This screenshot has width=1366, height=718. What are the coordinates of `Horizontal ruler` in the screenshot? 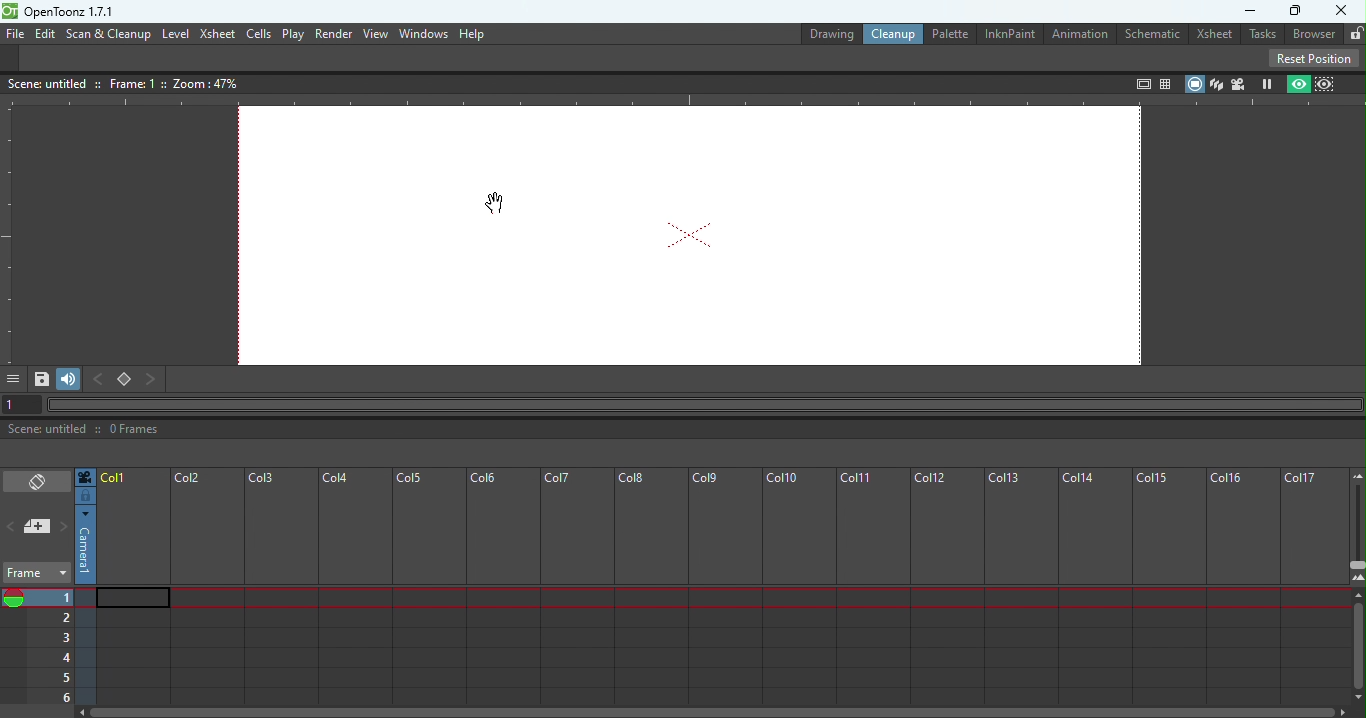 It's located at (683, 102).